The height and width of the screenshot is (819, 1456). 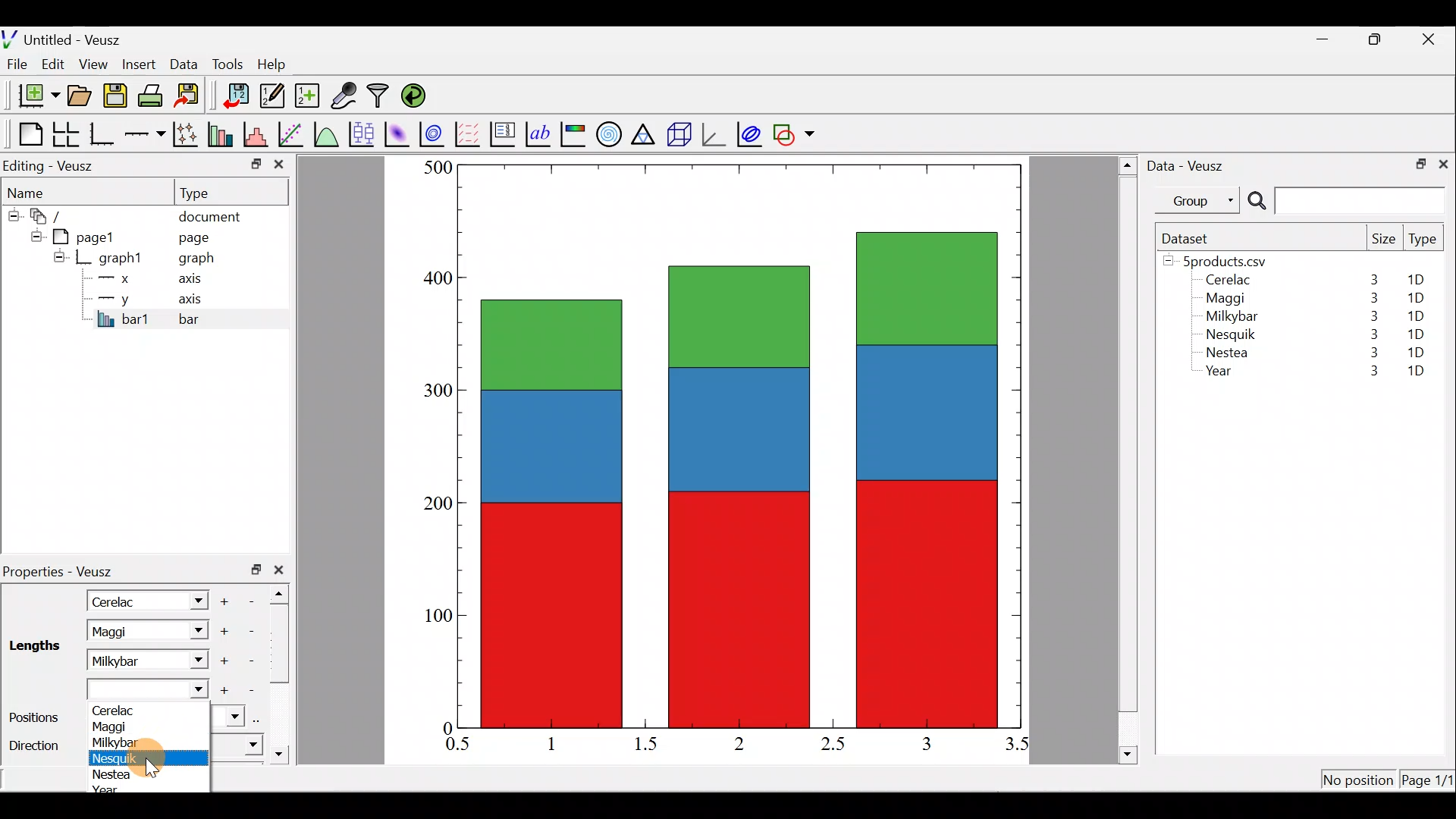 I want to click on 5products.csv, so click(x=1223, y=260).